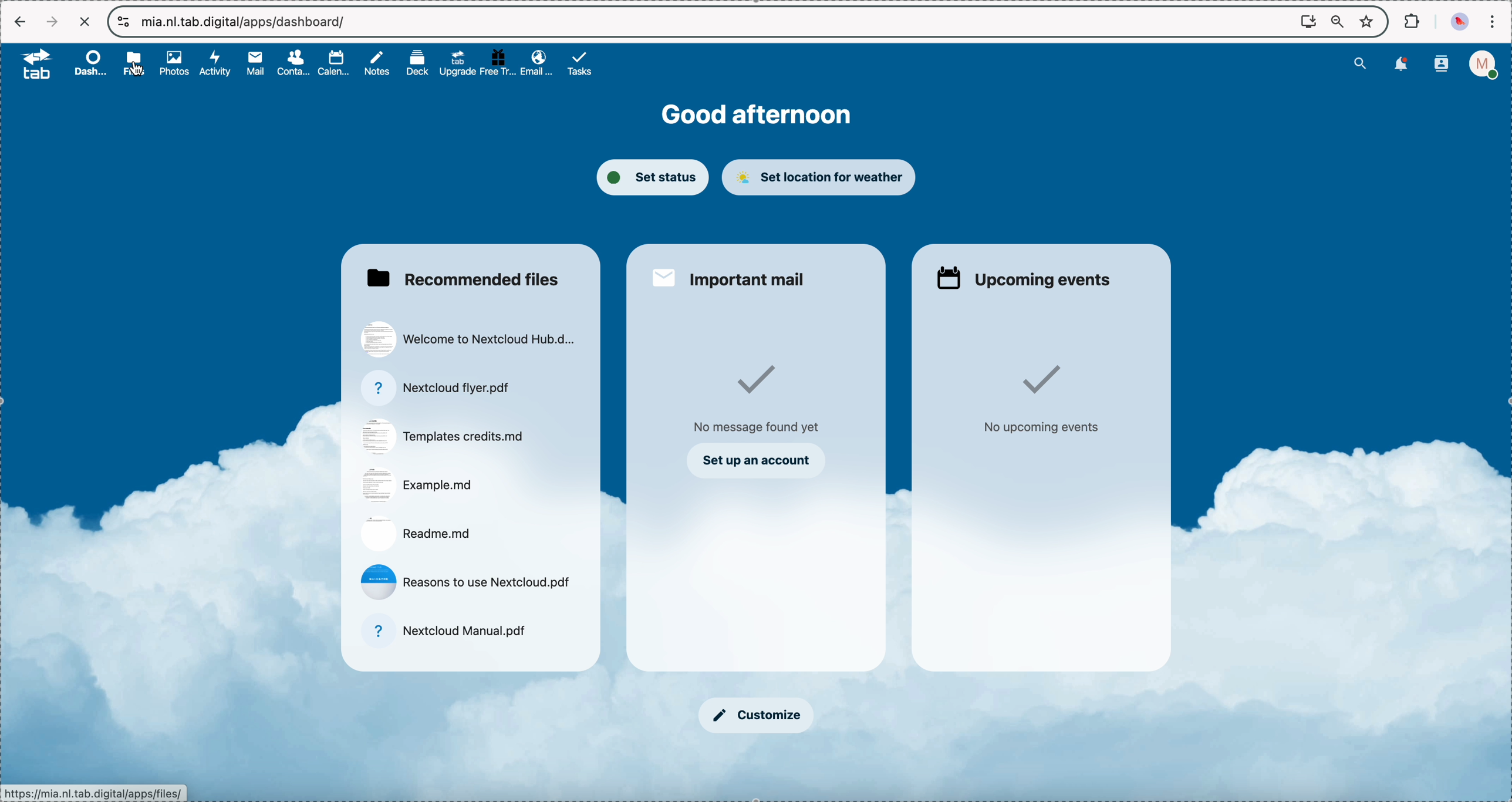  What do you see at coordinates (21, 23) in the screenshot?
I see `navigate back` at bounding box center [21, 23].